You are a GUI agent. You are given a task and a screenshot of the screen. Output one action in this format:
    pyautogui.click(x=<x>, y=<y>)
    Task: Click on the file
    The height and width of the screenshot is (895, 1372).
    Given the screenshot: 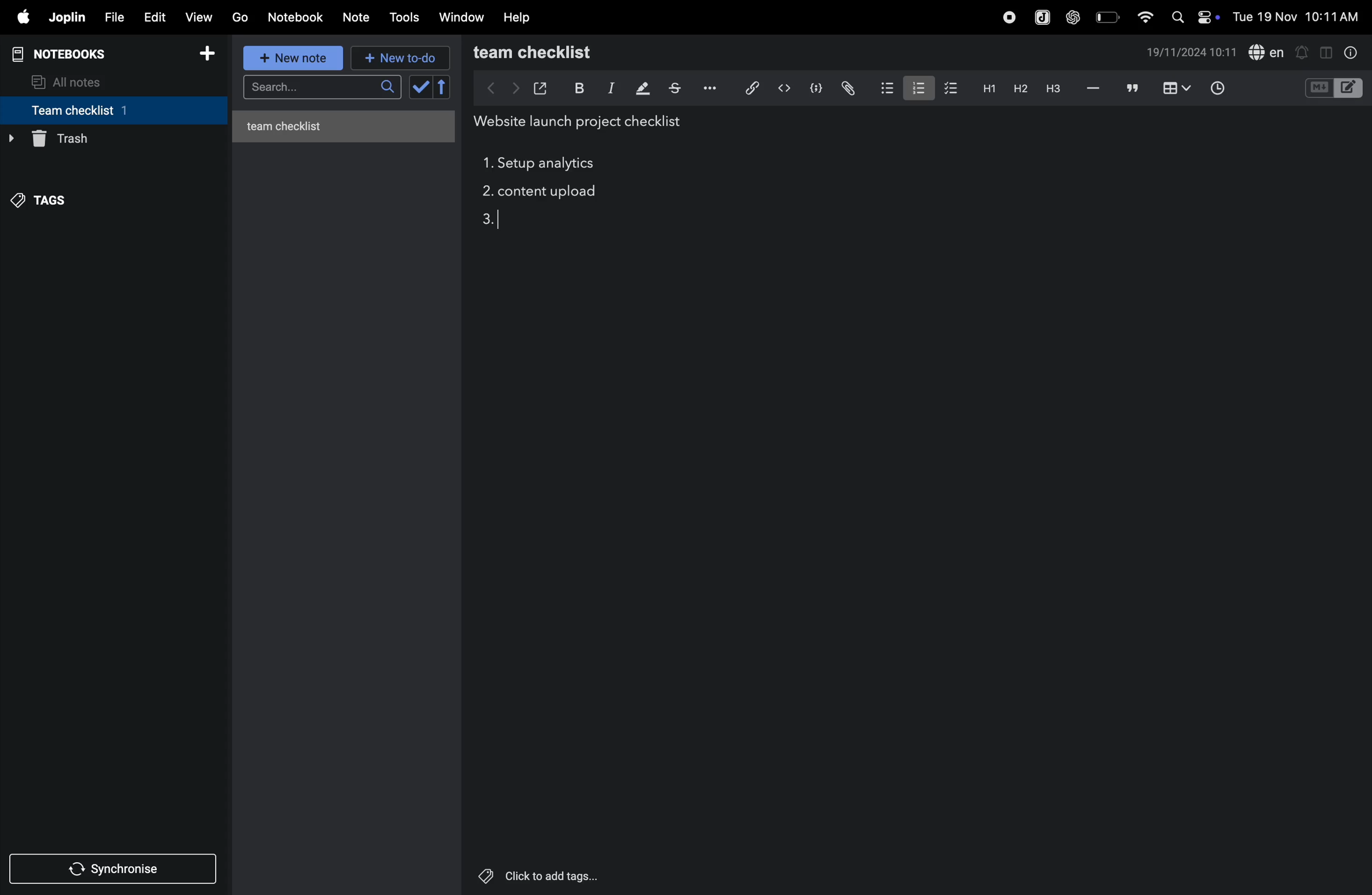 What is the action you would take?
    pyautogui.click(x=114, y=16)
    